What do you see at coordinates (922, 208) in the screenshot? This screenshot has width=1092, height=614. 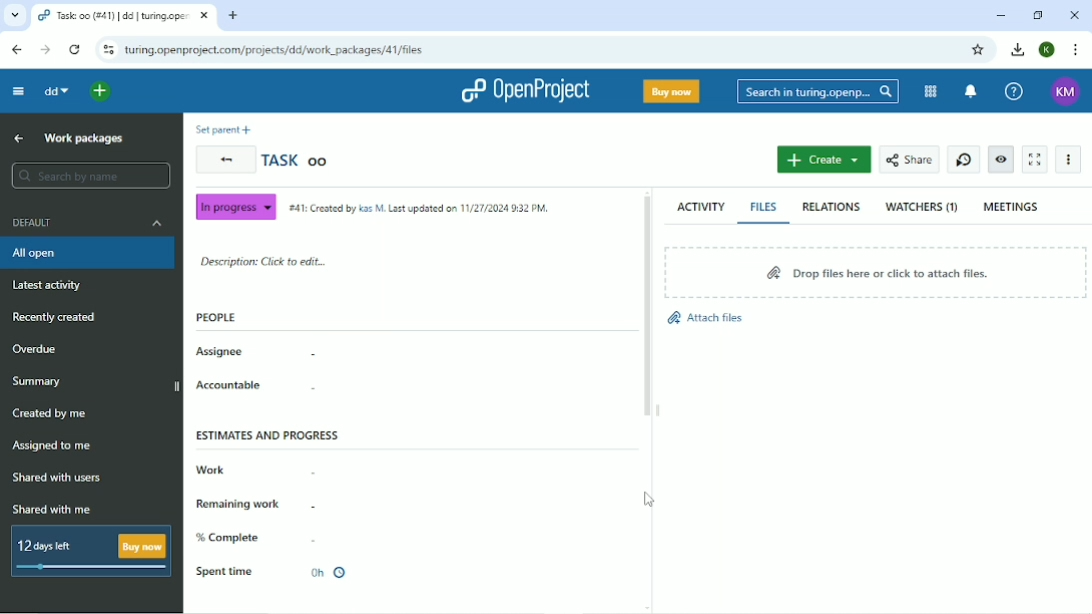 I see `Watchers (!)` at bounding box center [922, 208].